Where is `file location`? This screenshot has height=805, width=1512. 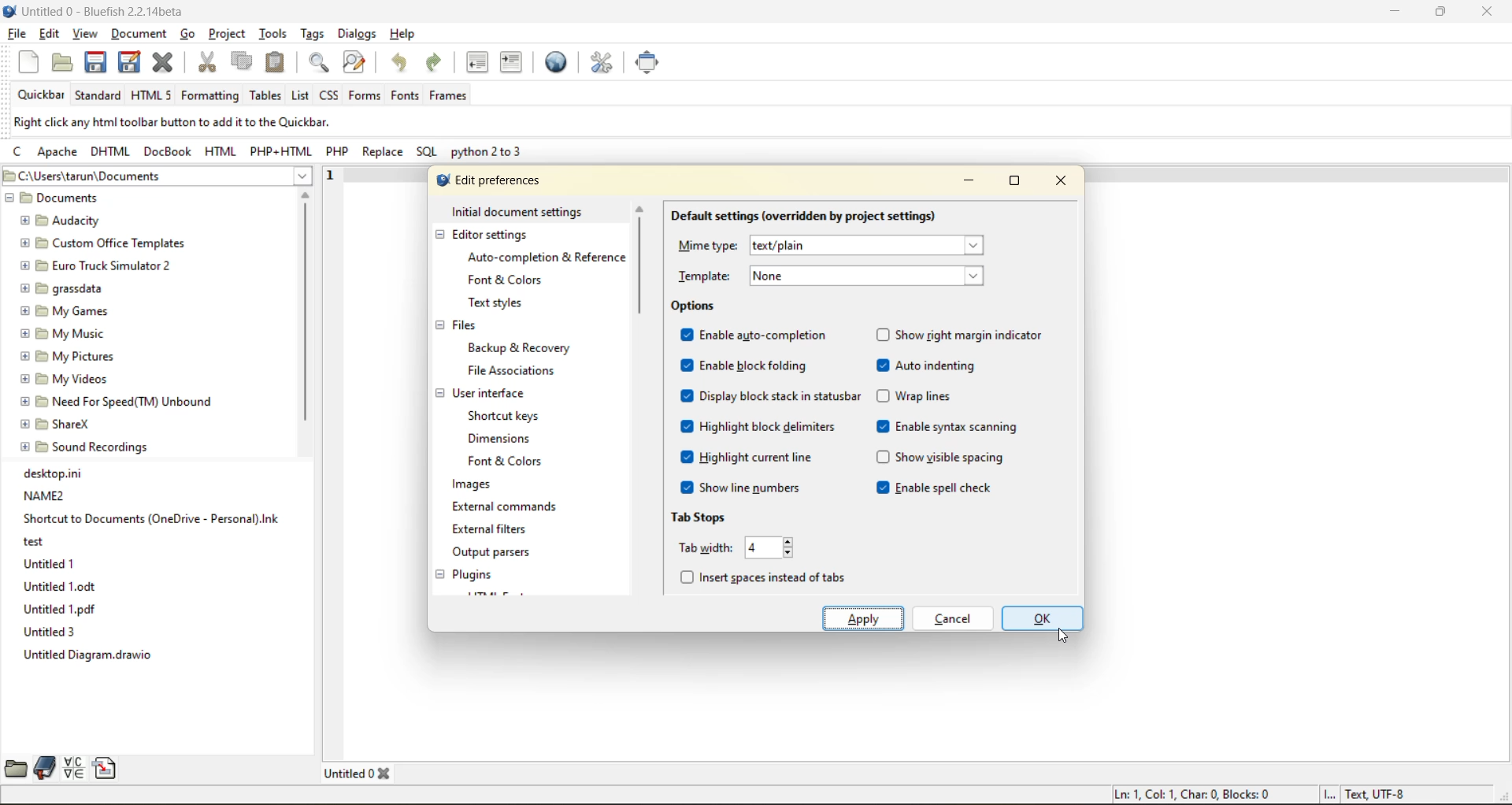
file location is located at coordinates (156, 177).